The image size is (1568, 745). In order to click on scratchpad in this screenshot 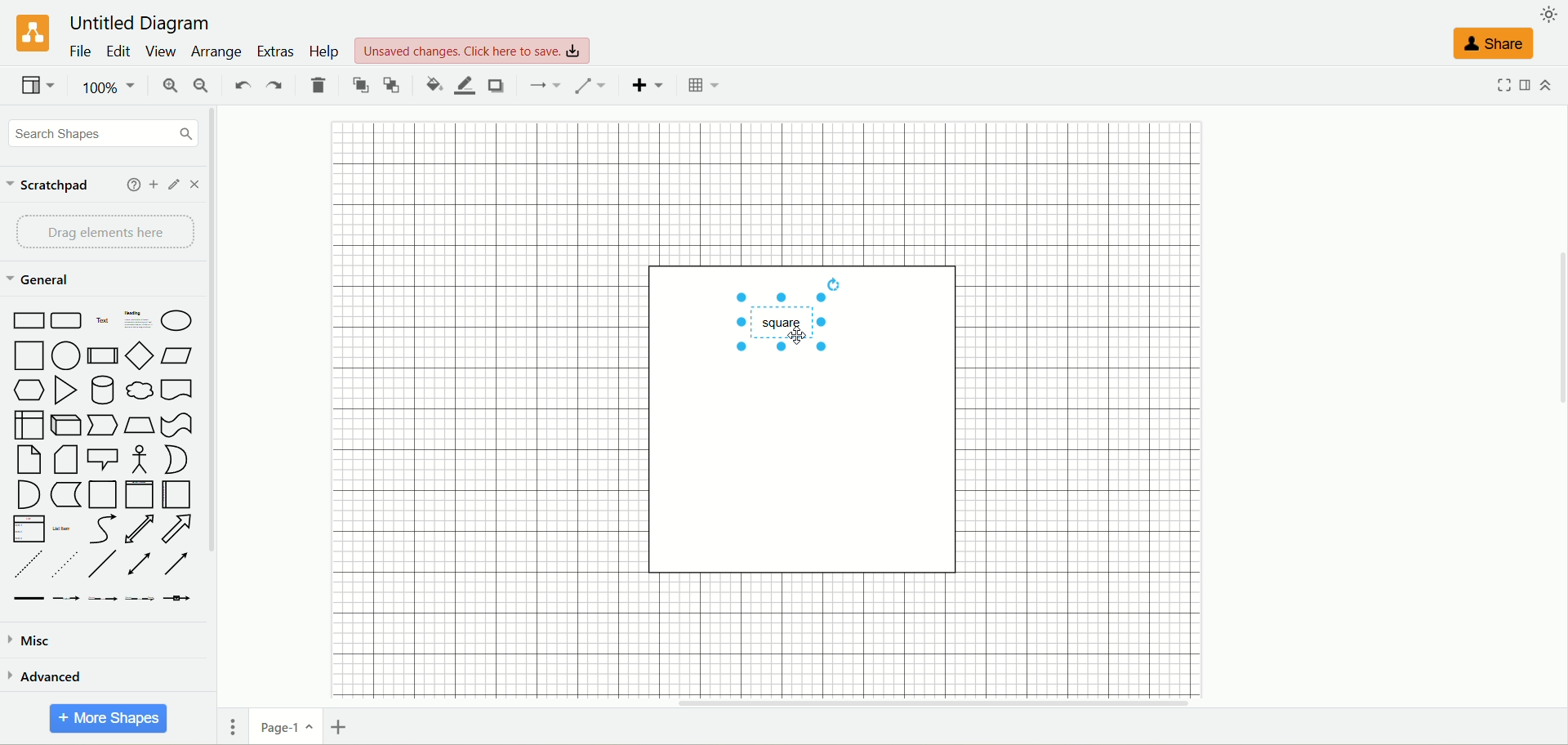, I will do `click(56, 189)`.